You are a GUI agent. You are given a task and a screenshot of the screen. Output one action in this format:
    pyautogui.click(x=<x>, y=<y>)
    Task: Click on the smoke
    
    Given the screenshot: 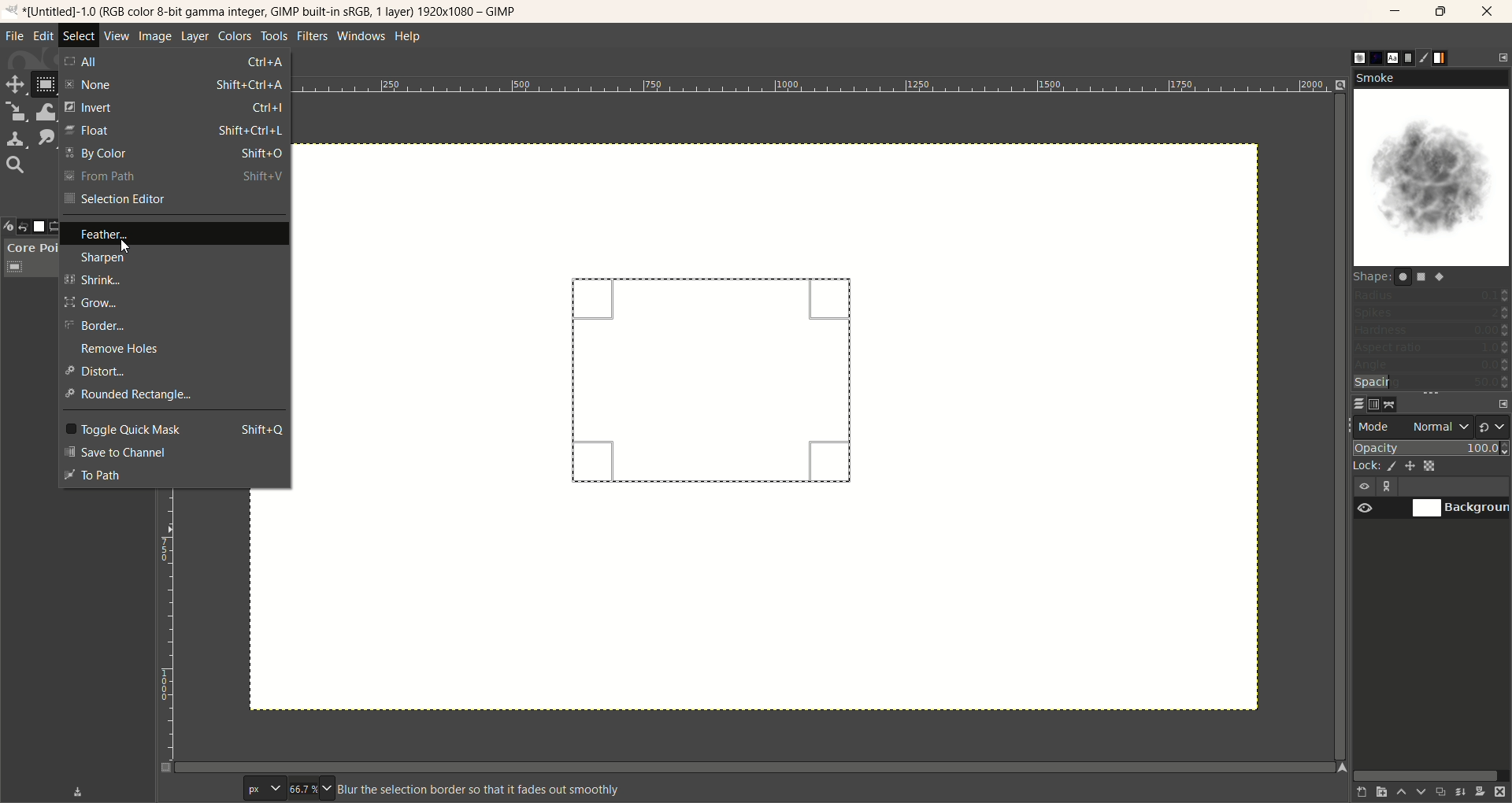 What is the action you would take?
    pyautogui.click(x=1432, y=169)
    